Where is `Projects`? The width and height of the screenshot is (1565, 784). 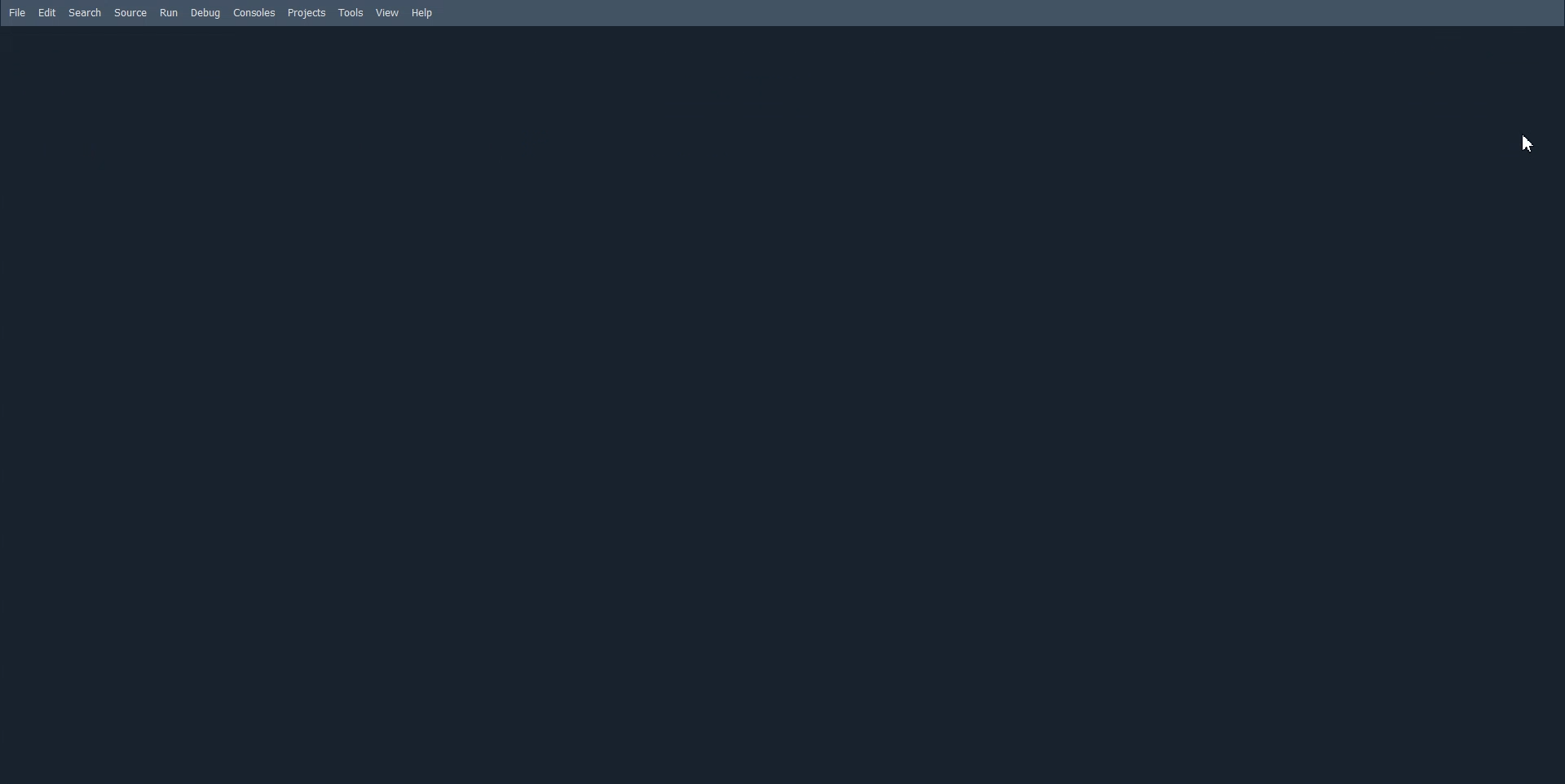 Projects is located at coordinates (306, 13).